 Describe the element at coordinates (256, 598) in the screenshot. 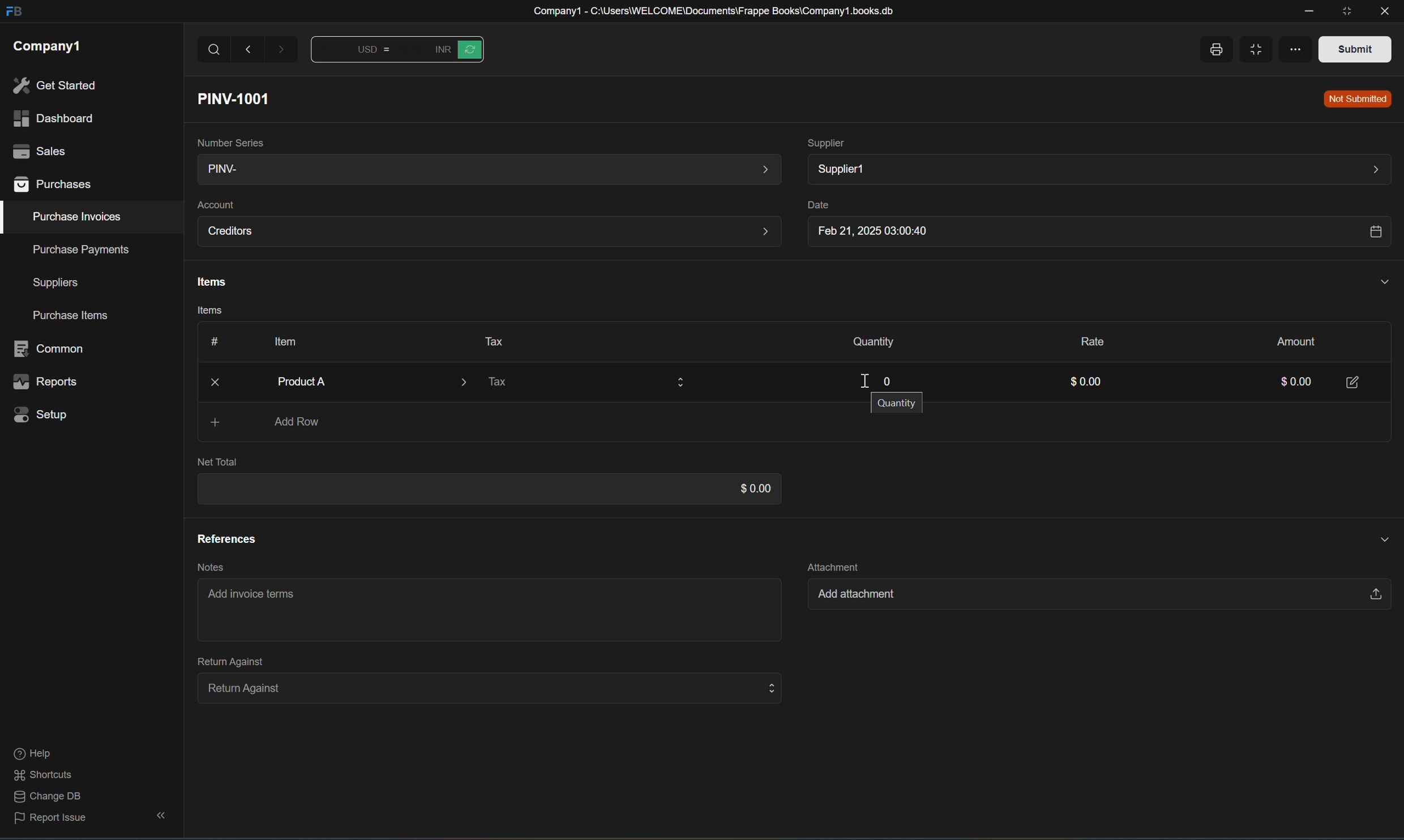

I see `Add invoice terms` at that location.